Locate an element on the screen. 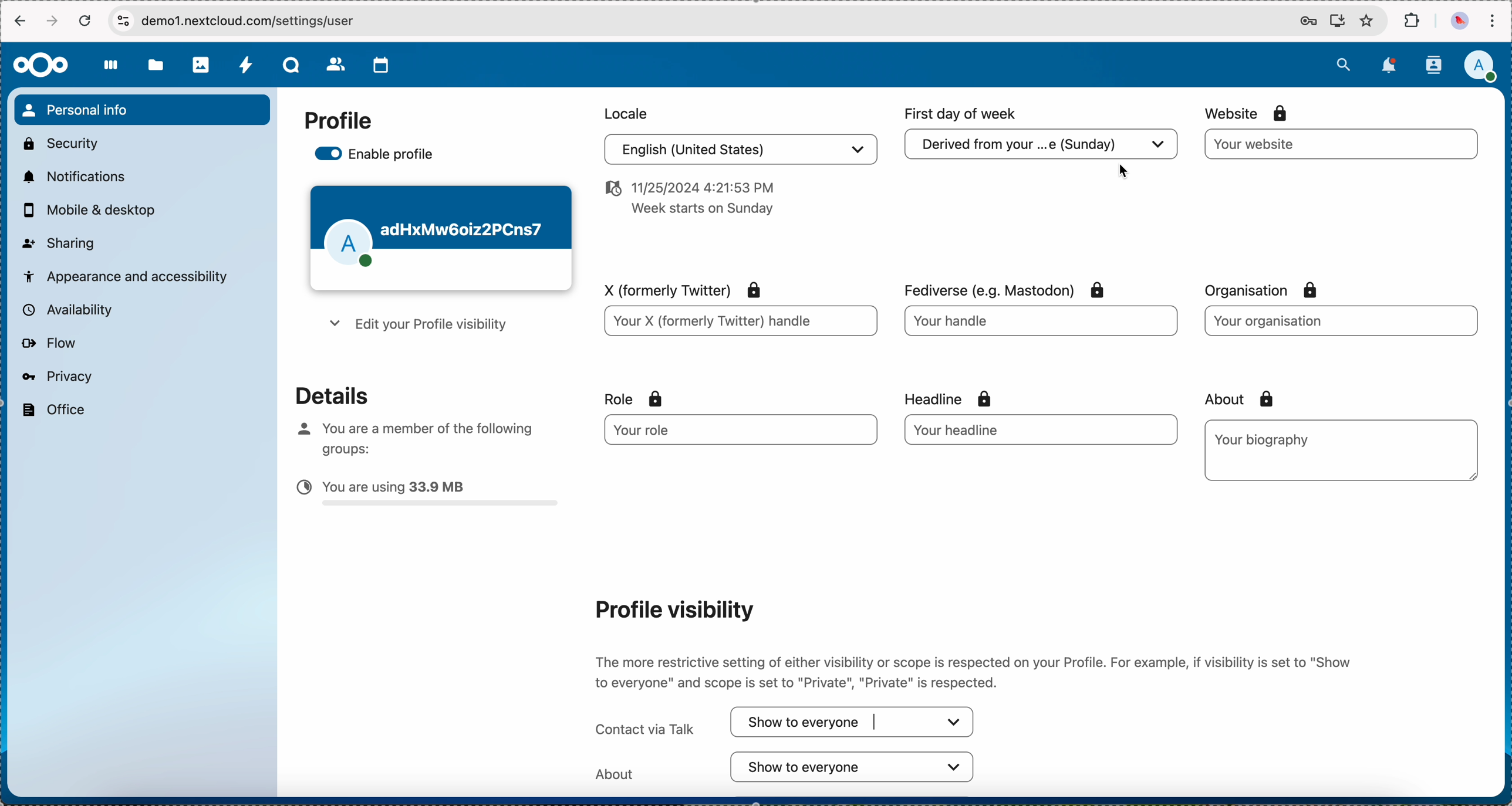  favorites is located at coordinates (1366, 22).